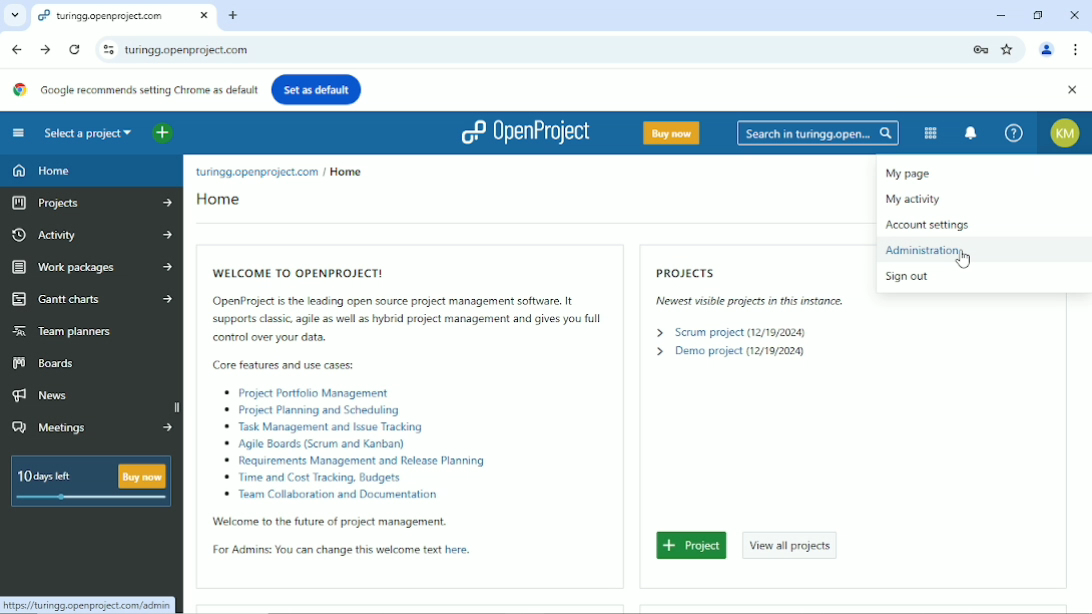 The height and width of the screenshot is (614, 1092). What do you see at coordinates (793, 544) in the screenshot?
I see `View all projects` at bounding box center [793, 544].